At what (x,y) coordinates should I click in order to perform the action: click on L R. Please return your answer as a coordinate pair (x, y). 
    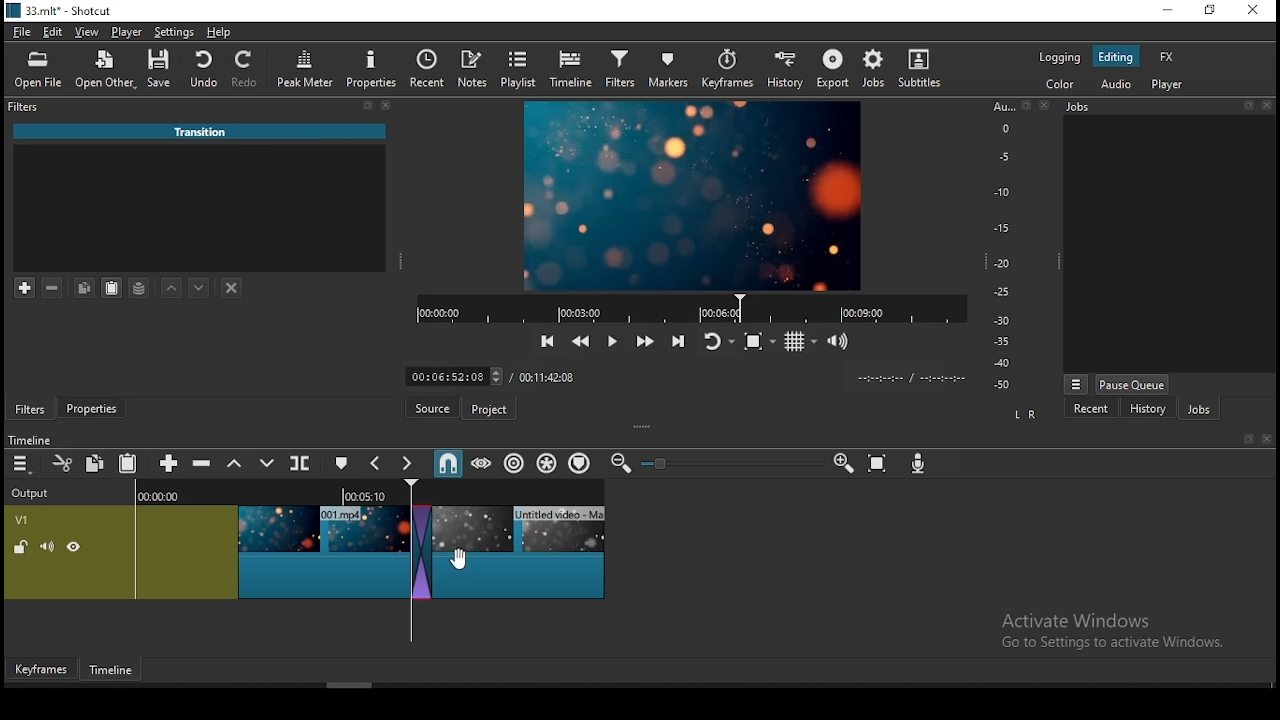
    Looking at the image, I should click on (1023, 413).